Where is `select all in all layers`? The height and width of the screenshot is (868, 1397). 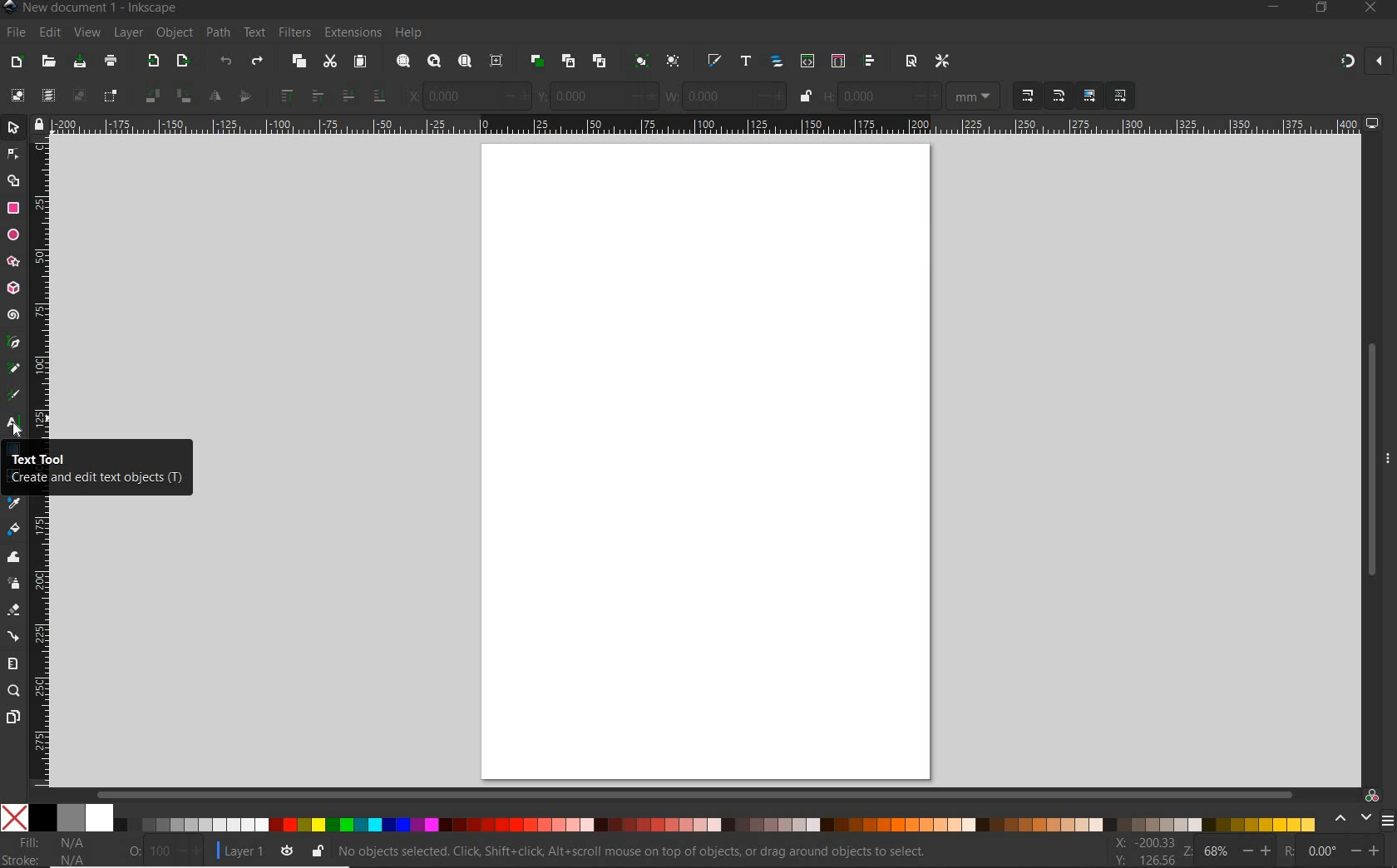
select all in all layers is located at coordinates (47, 96).